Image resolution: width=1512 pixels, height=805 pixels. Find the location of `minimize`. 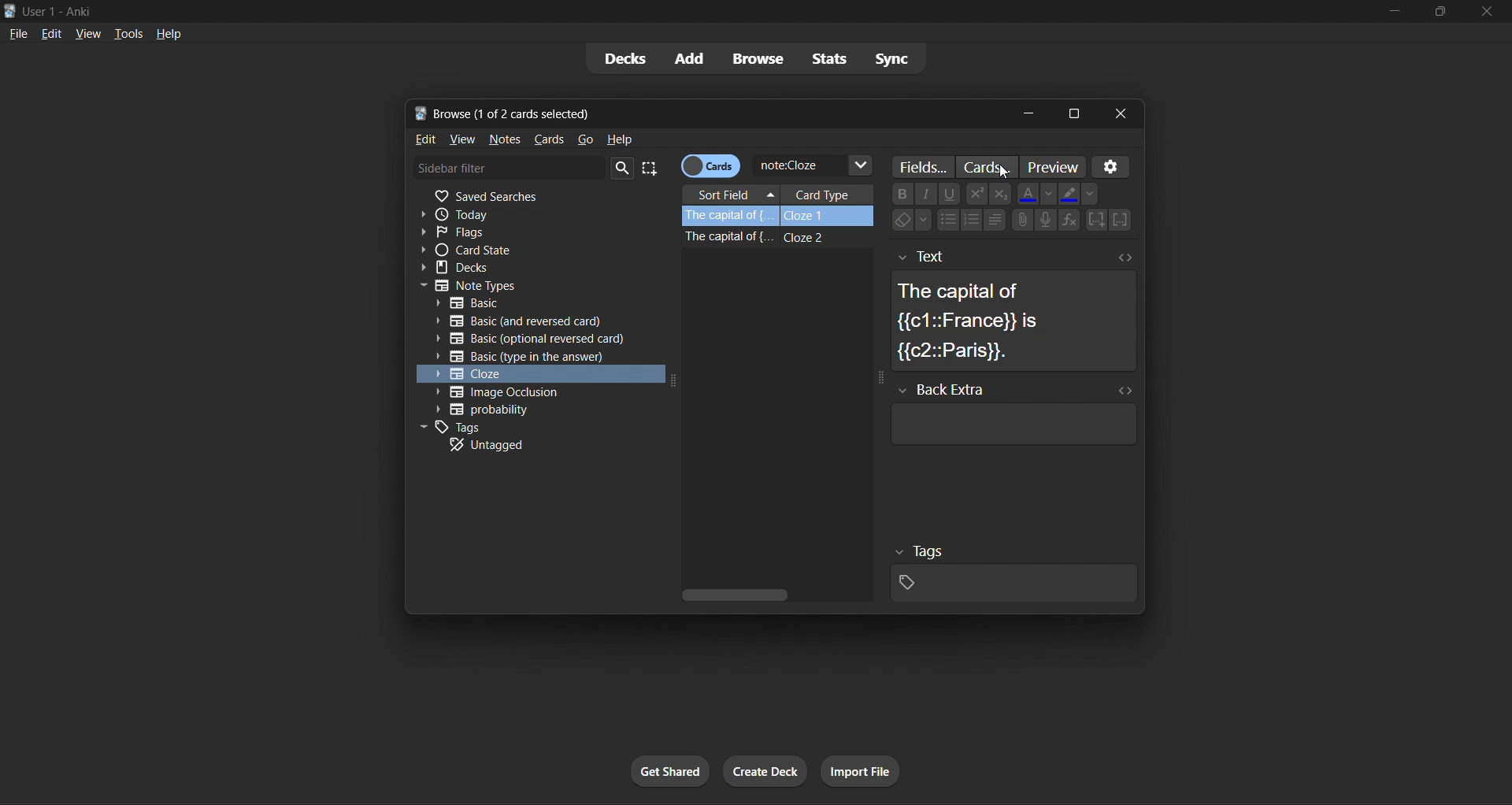

minimize is located at coordinates (1398, 12).